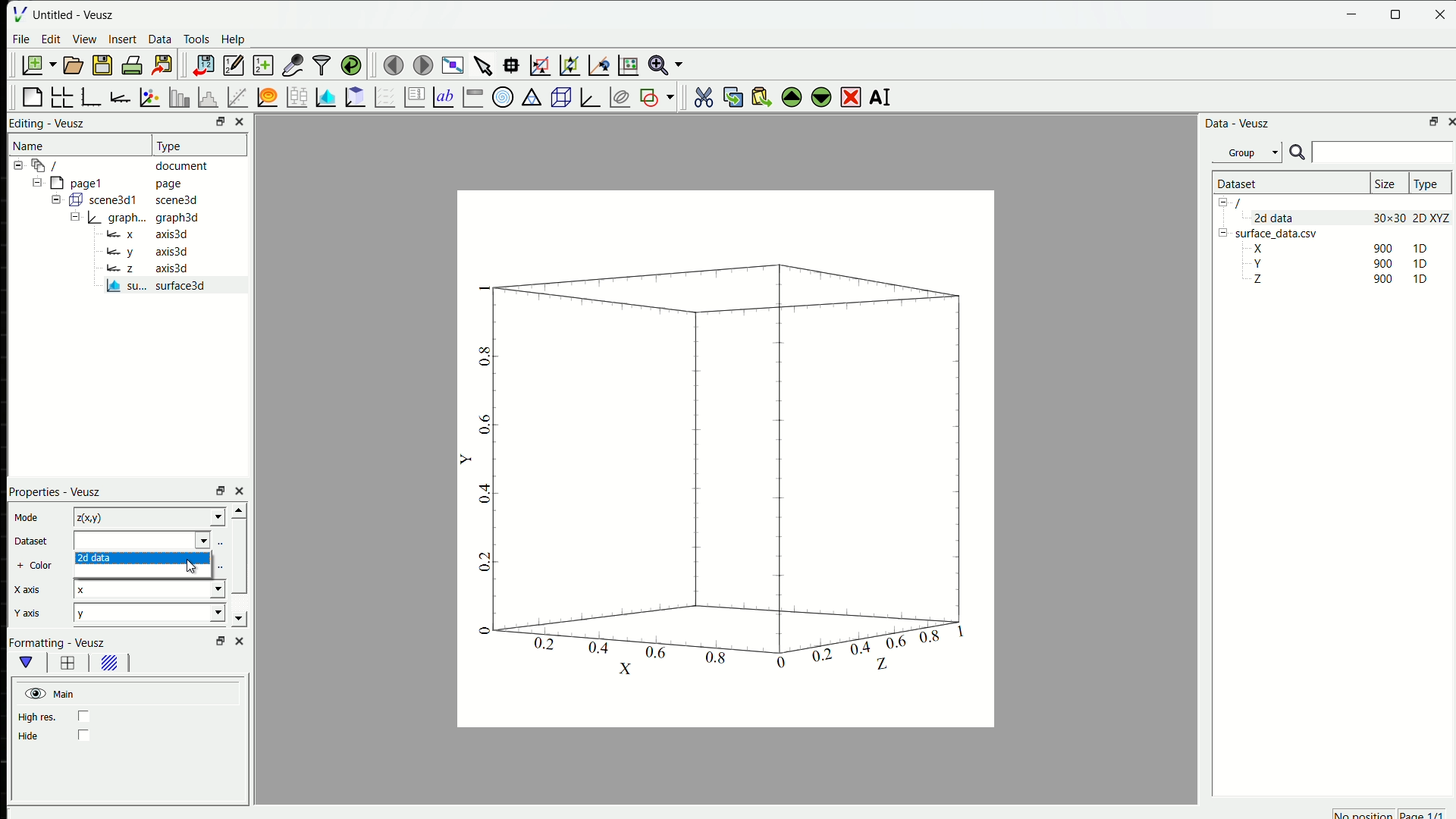  I want to click on minimise, so click(1353, 13).